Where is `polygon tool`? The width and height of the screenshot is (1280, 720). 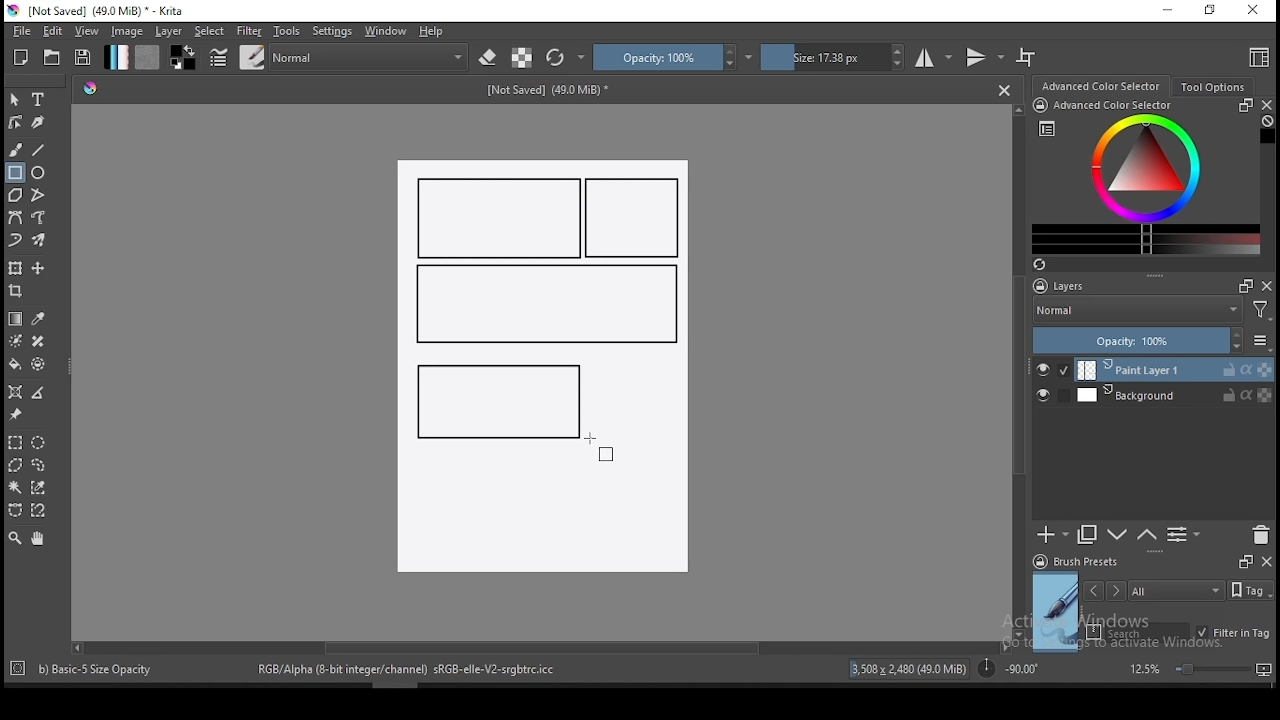 polygon tool is located at coordinates (14, 195).